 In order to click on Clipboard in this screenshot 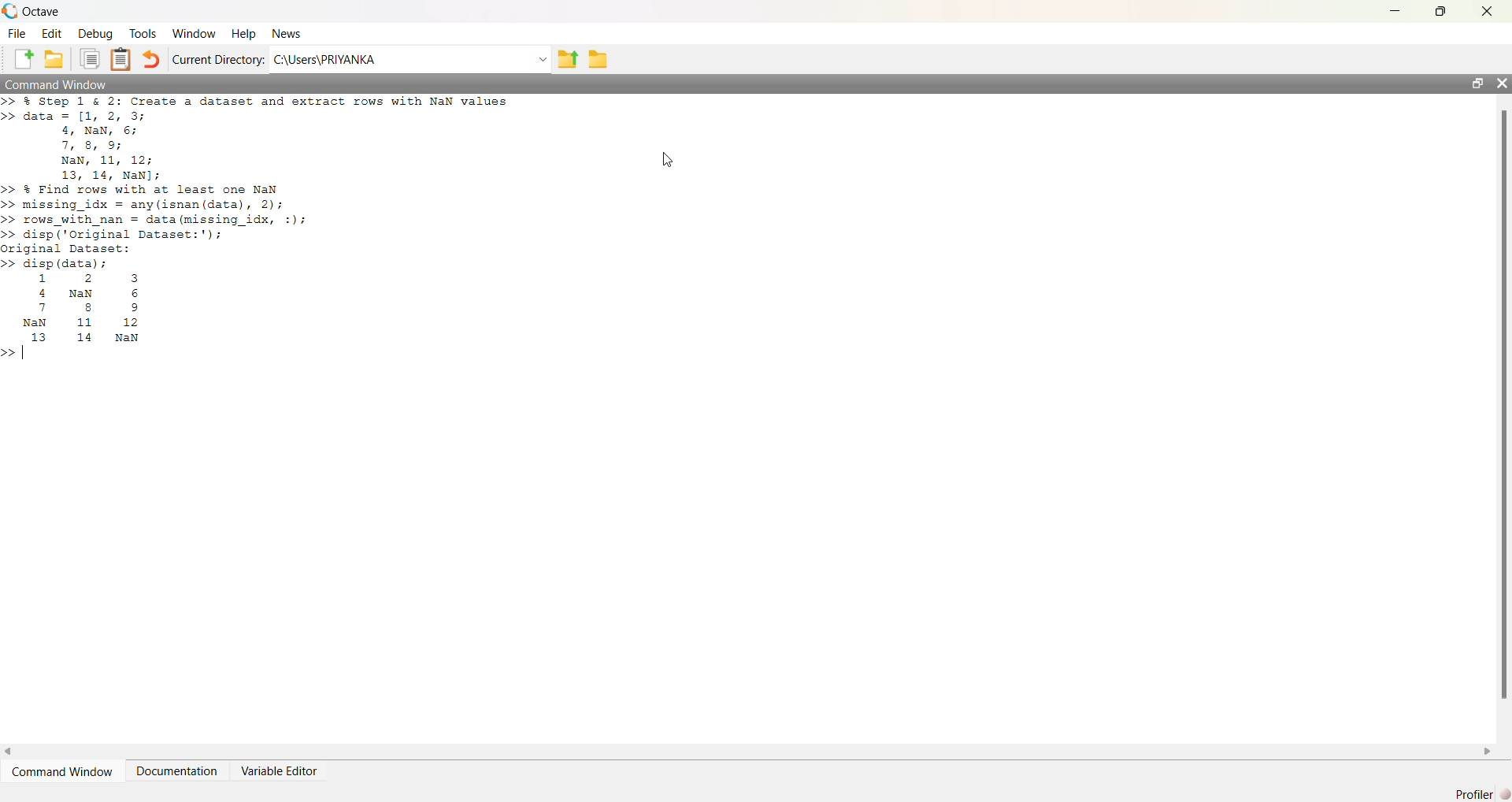, I will do `click(120, 59)`.